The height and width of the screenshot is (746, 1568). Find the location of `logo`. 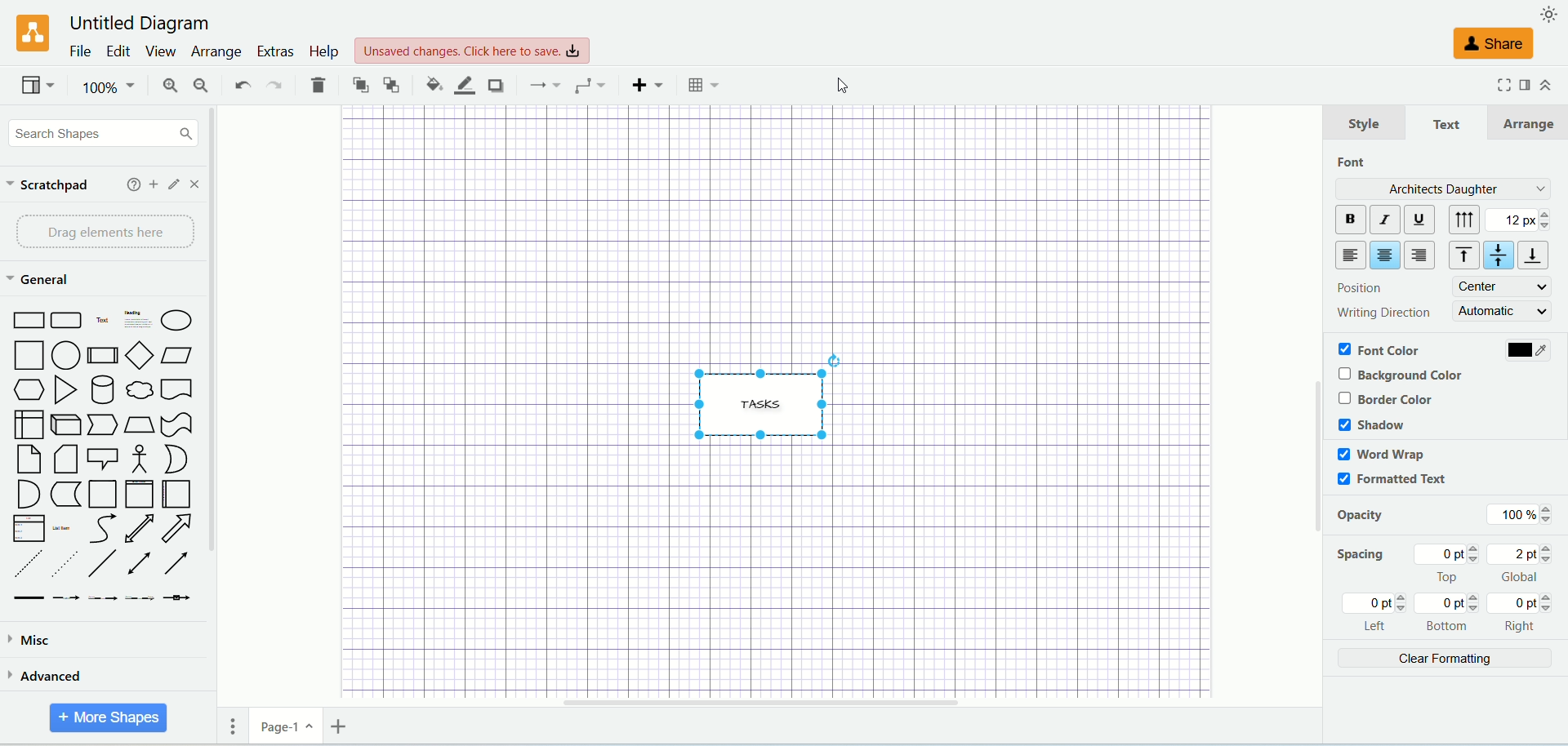

logo is located at coordinates (28, 33).